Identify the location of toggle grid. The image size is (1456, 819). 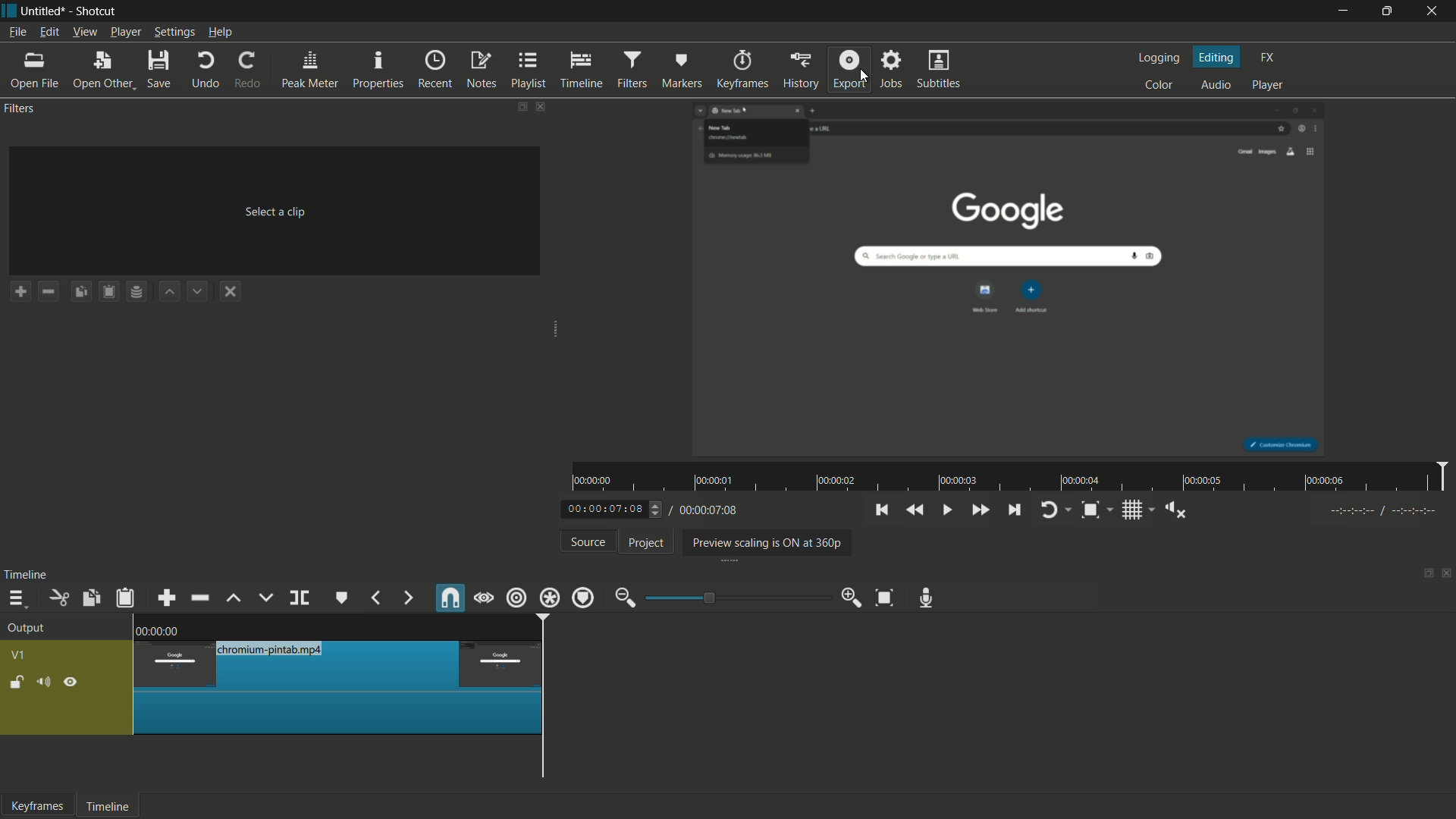
(1134, 510).